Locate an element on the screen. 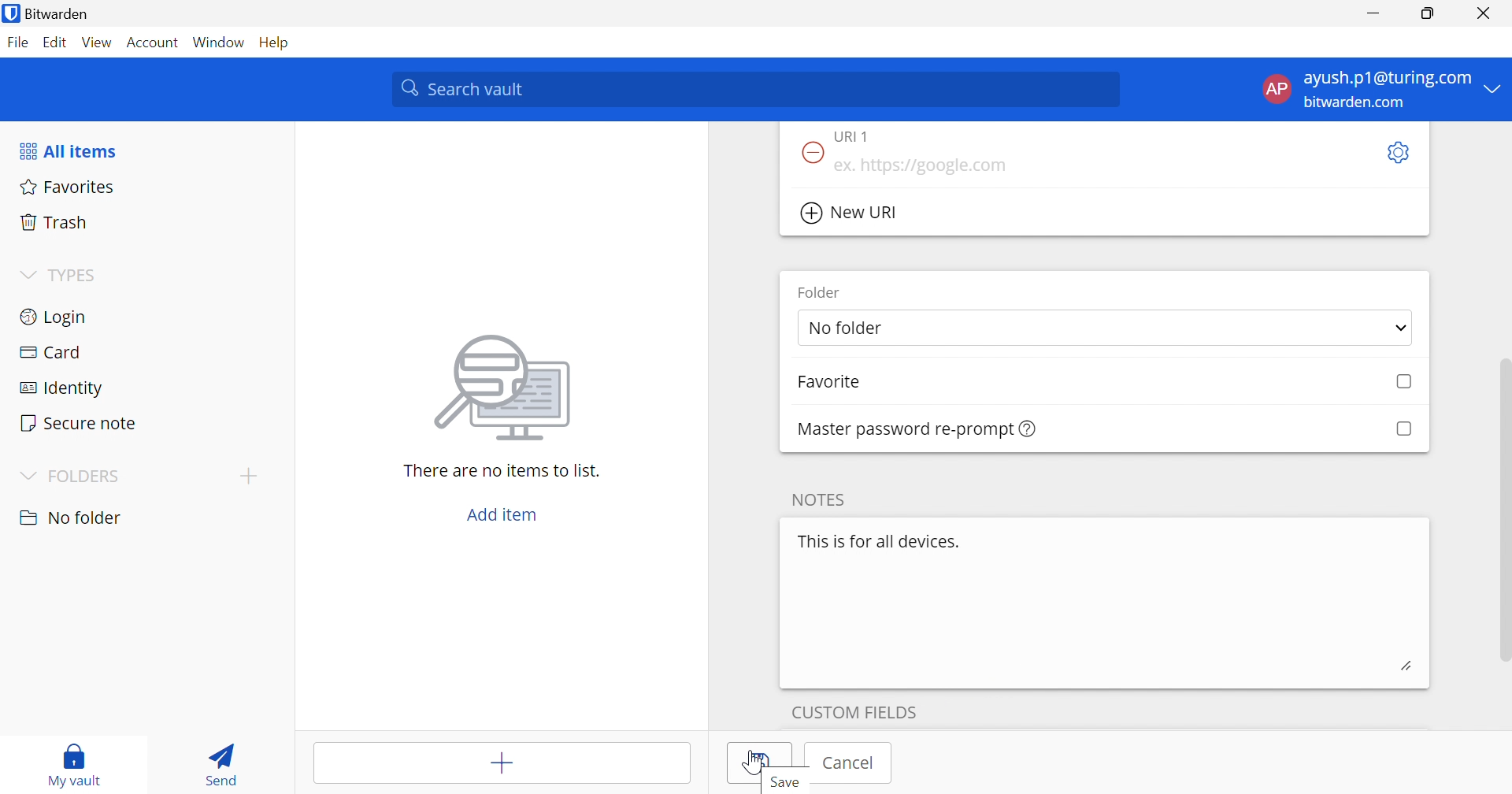  Favorites is located at coordinates (65, 185).